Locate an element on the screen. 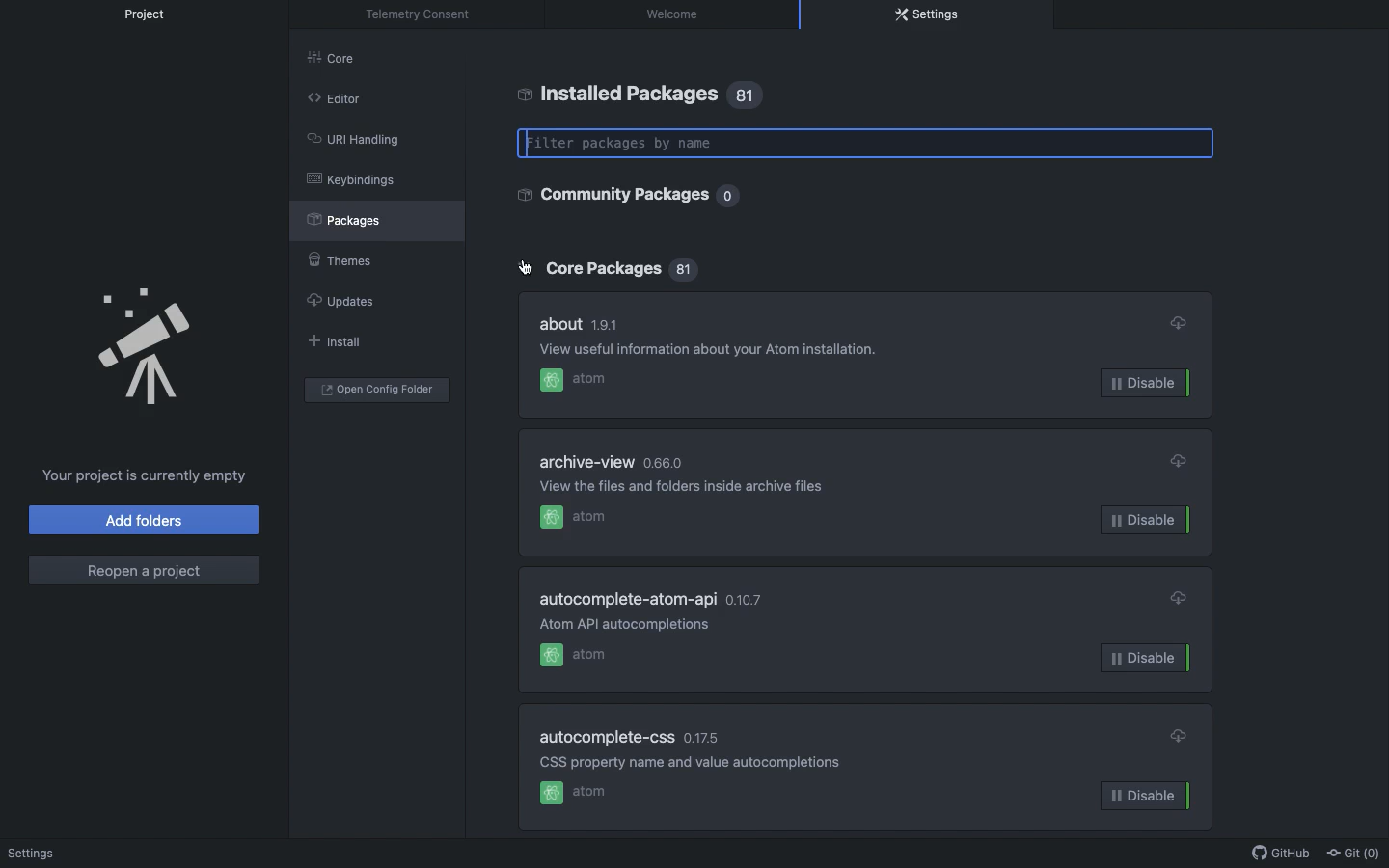 The width and height of the screenshot is (1389, 868). Open config folder is located at coordinates (377, 390).